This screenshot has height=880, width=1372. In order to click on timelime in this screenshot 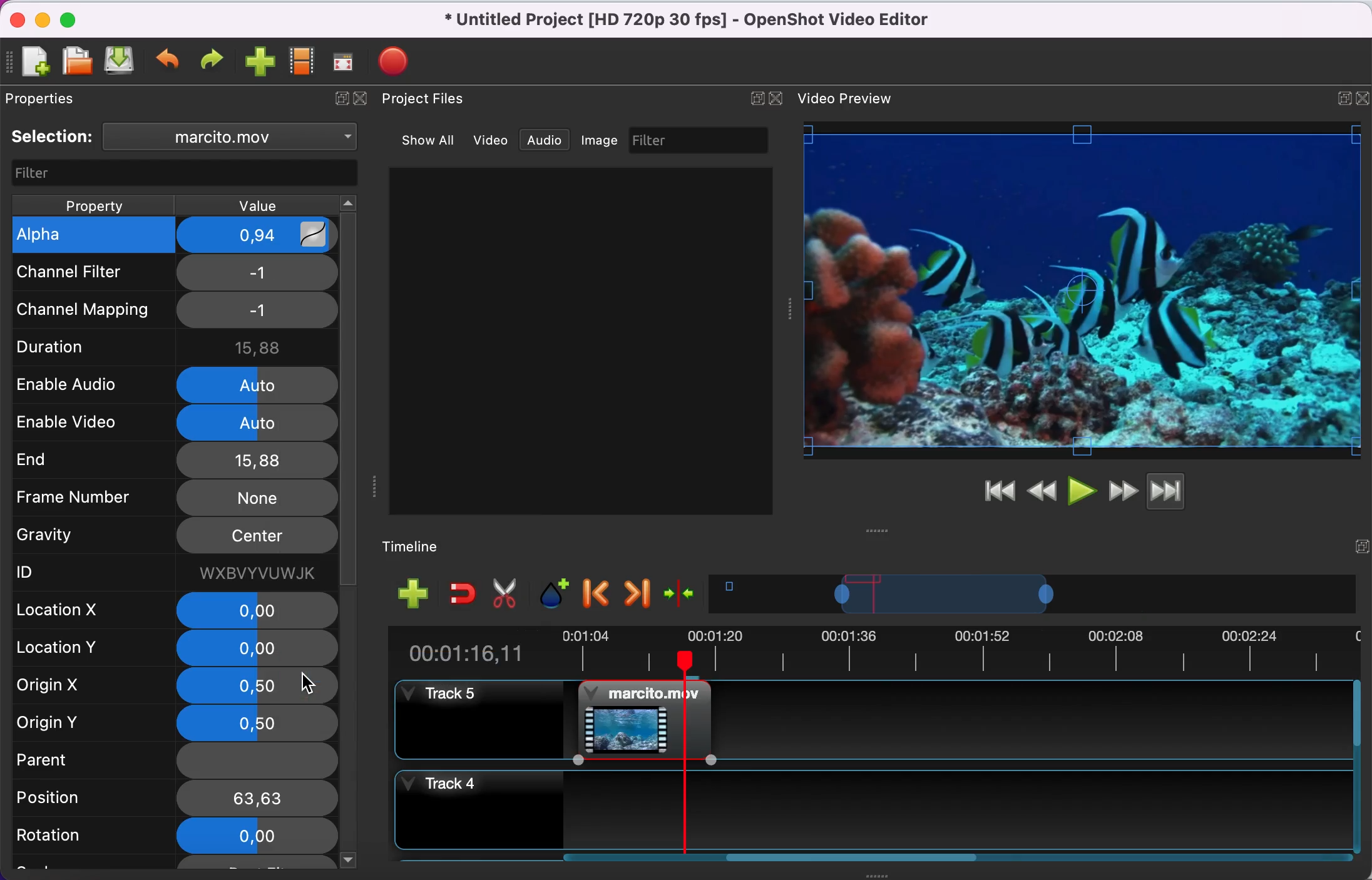, I will do `click(421, 546)`.